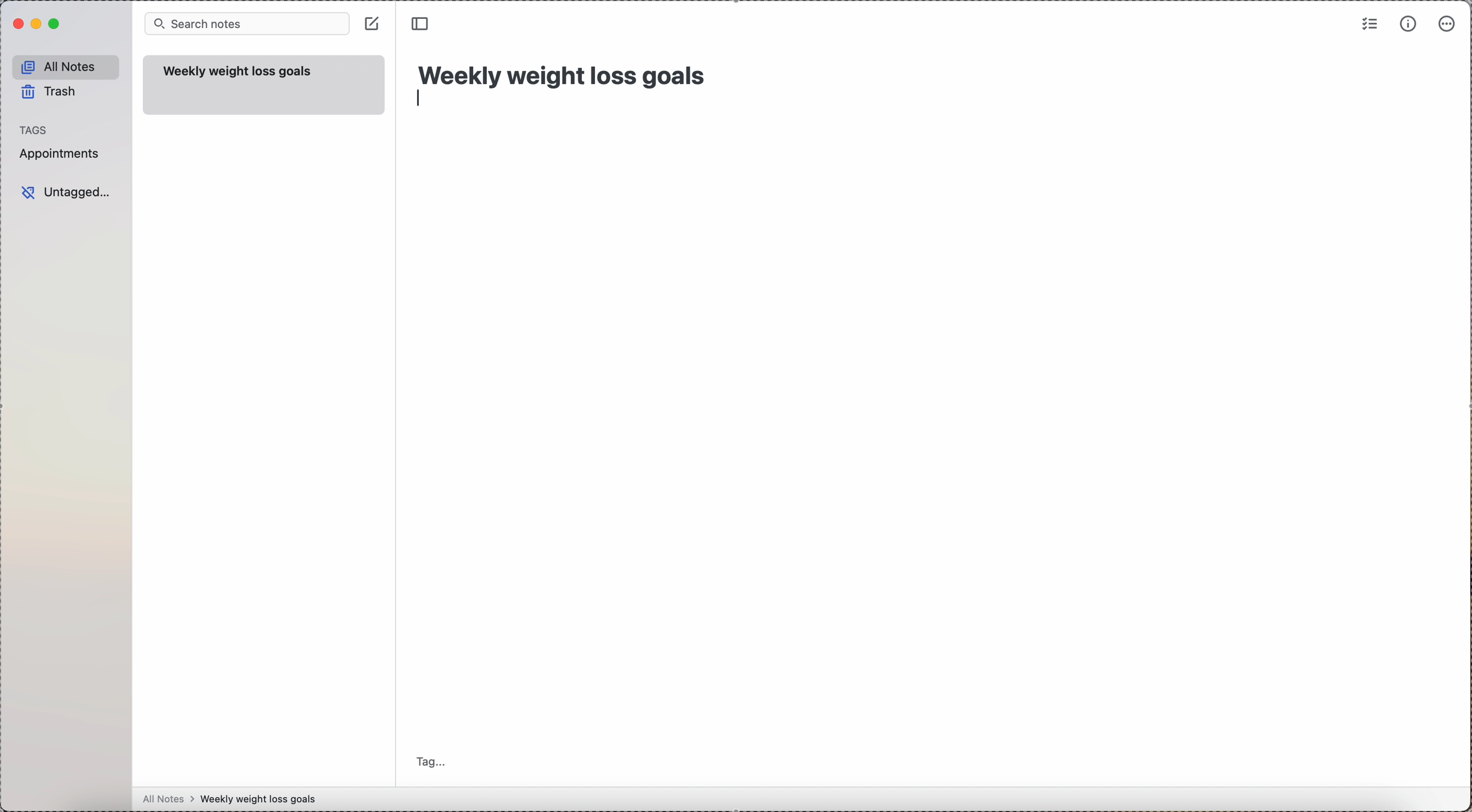  What do you see at coordinates (435, 760) in the screenshot?
I see `tag` at bounding box center [435, 760].